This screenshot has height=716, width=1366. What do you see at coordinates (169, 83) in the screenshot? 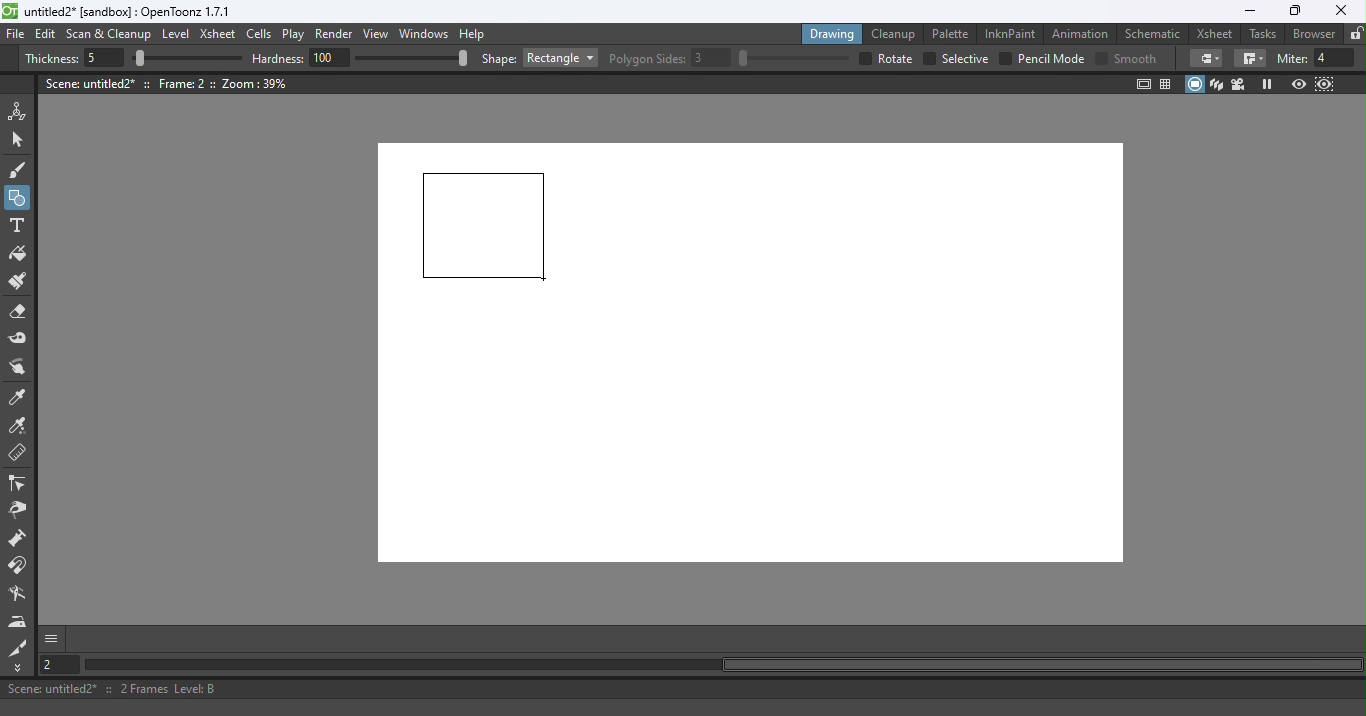
I see `Canvas details` at bounding box center [169, 83].